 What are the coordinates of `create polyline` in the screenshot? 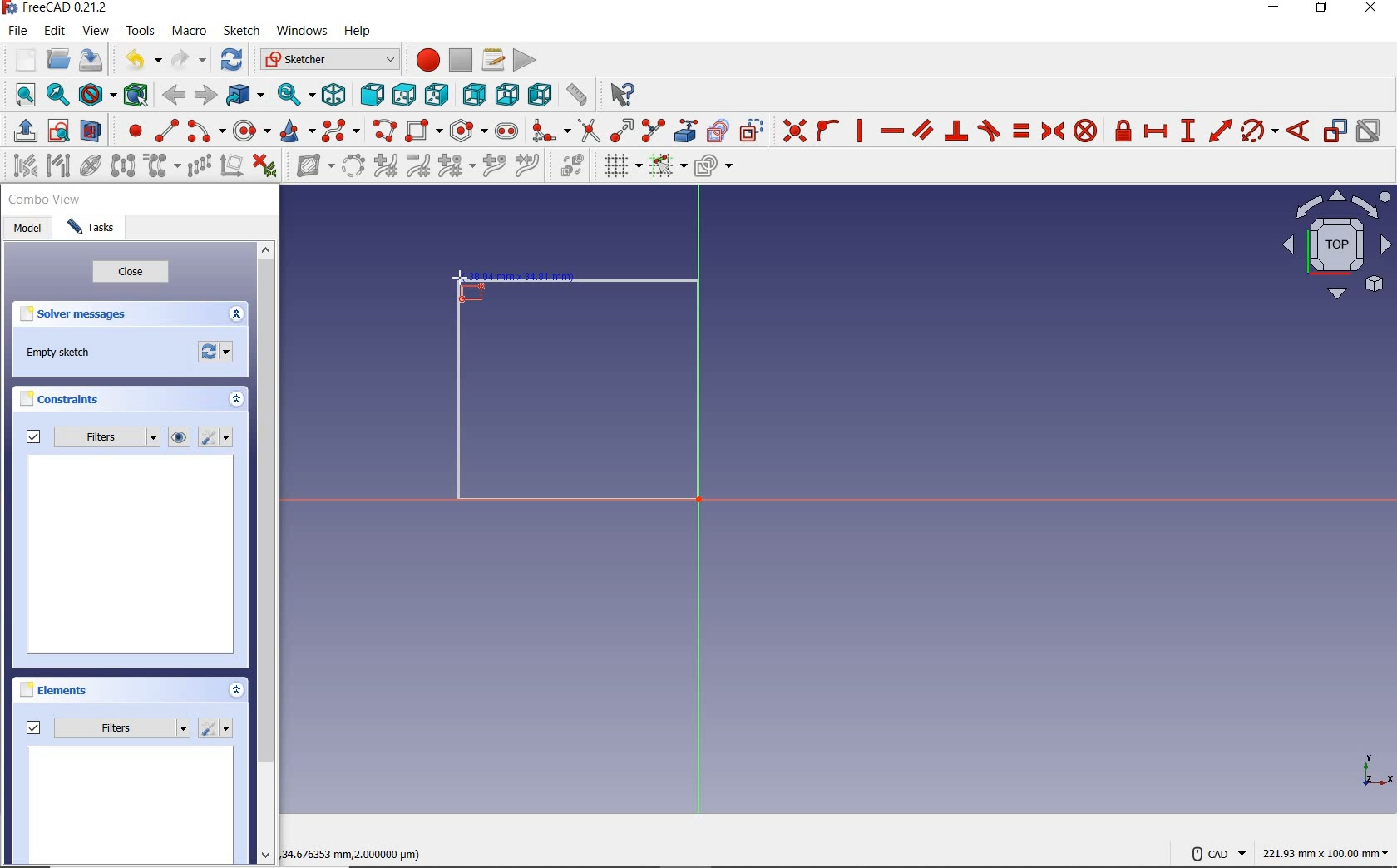 It's located at (385, 132).